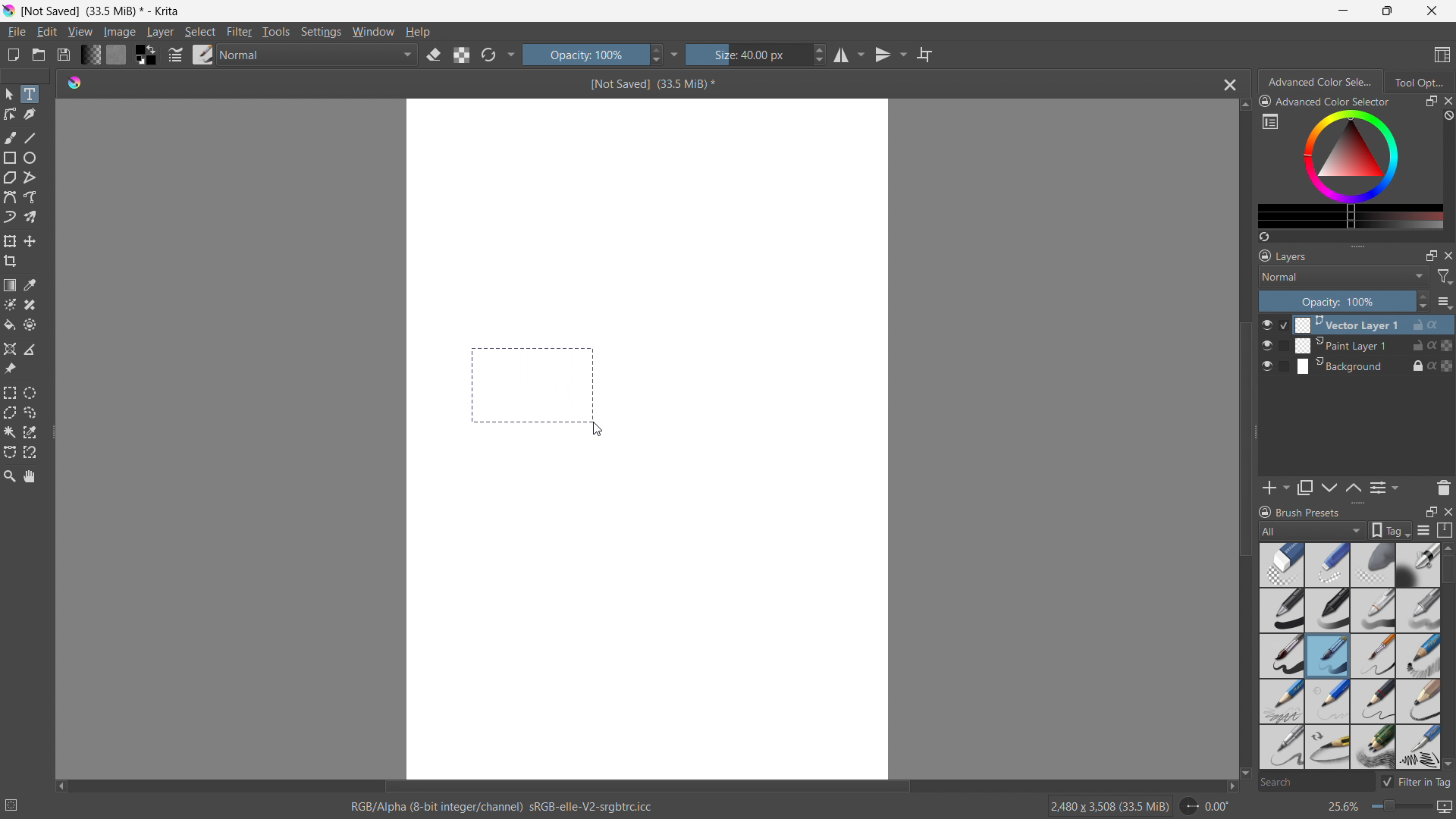 The width and height of the screenshot is (1456, 819). Describe the element at coordinates (1206, 806) in the screenshot. I see `rotate canvas` at that location.